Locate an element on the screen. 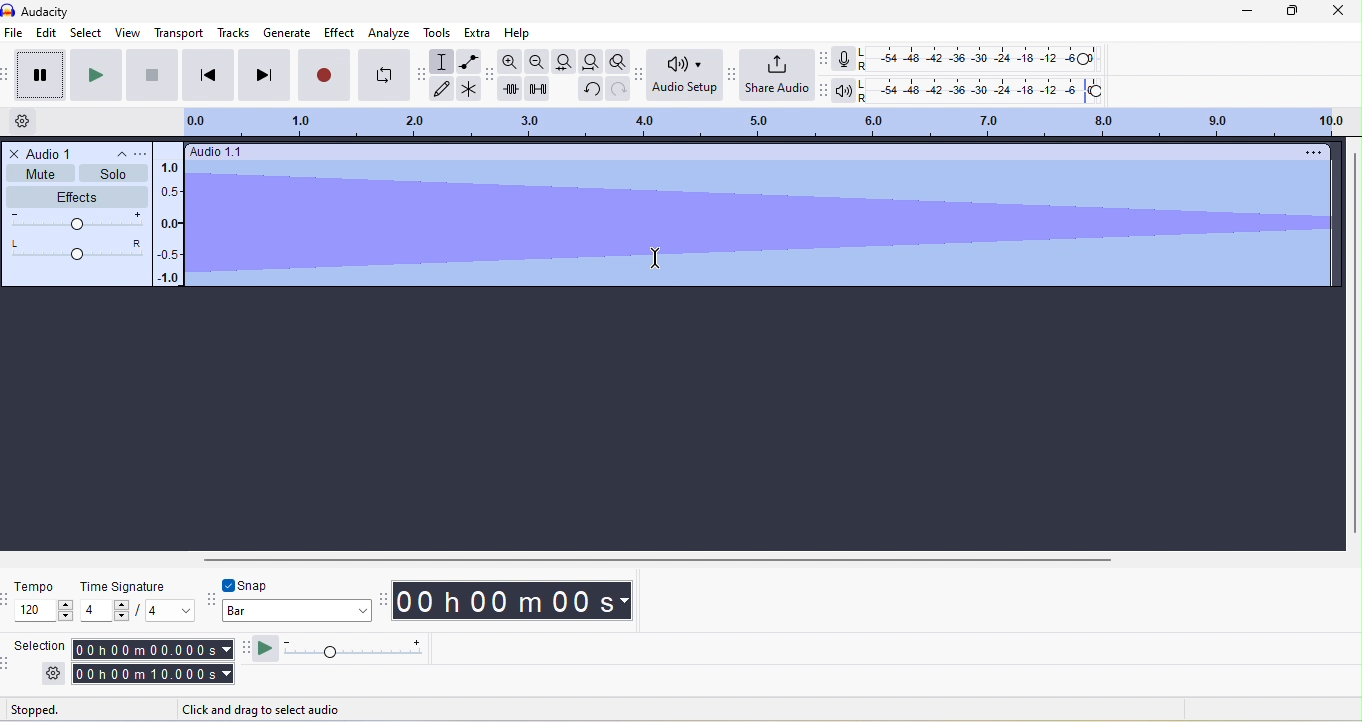 The image size is (1362, 722). tools is located at coordinates (439, 32).